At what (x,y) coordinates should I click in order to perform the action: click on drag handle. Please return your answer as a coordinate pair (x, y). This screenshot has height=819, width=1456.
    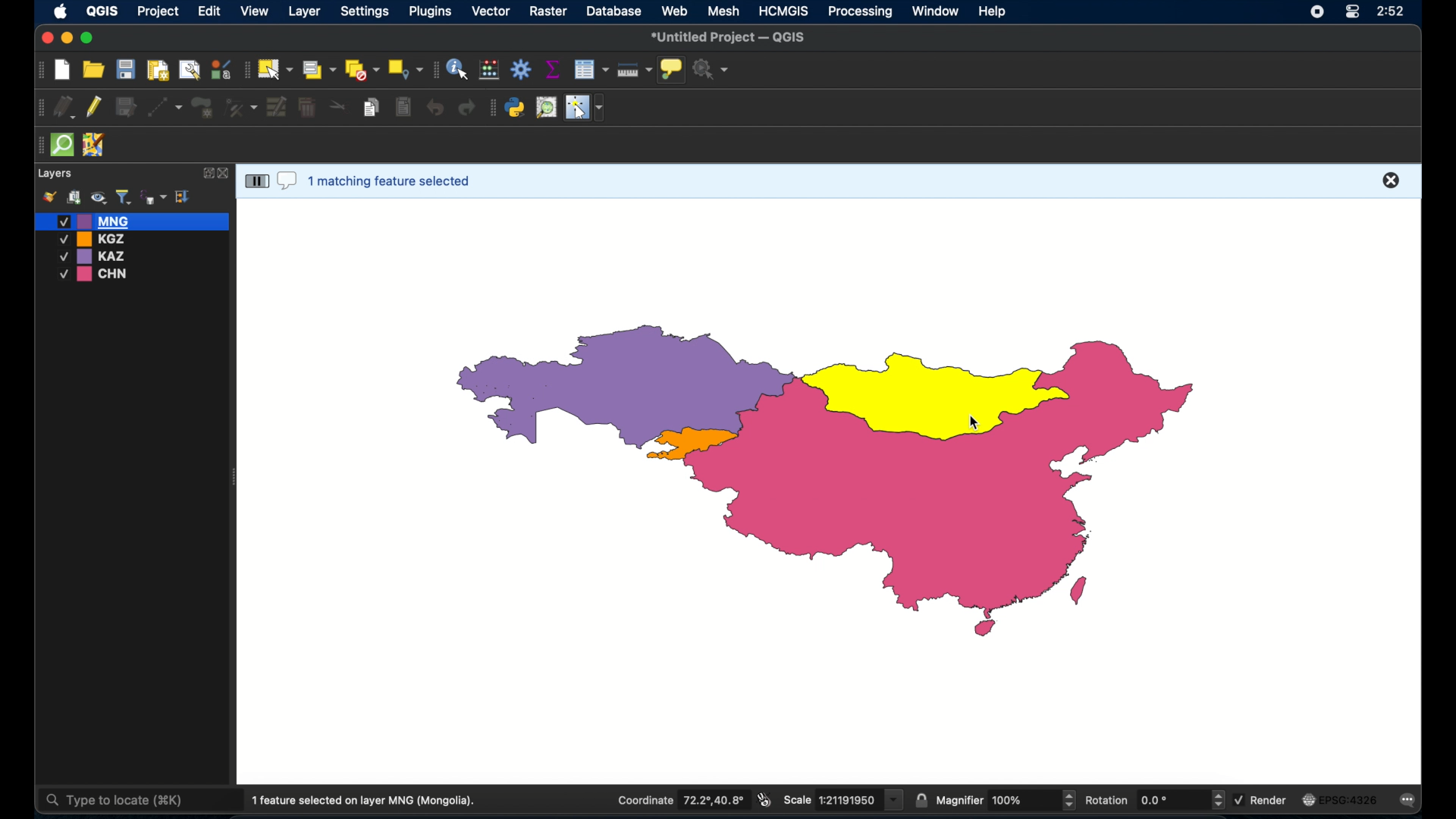
    Looking at the image, I should click on (39, 106).